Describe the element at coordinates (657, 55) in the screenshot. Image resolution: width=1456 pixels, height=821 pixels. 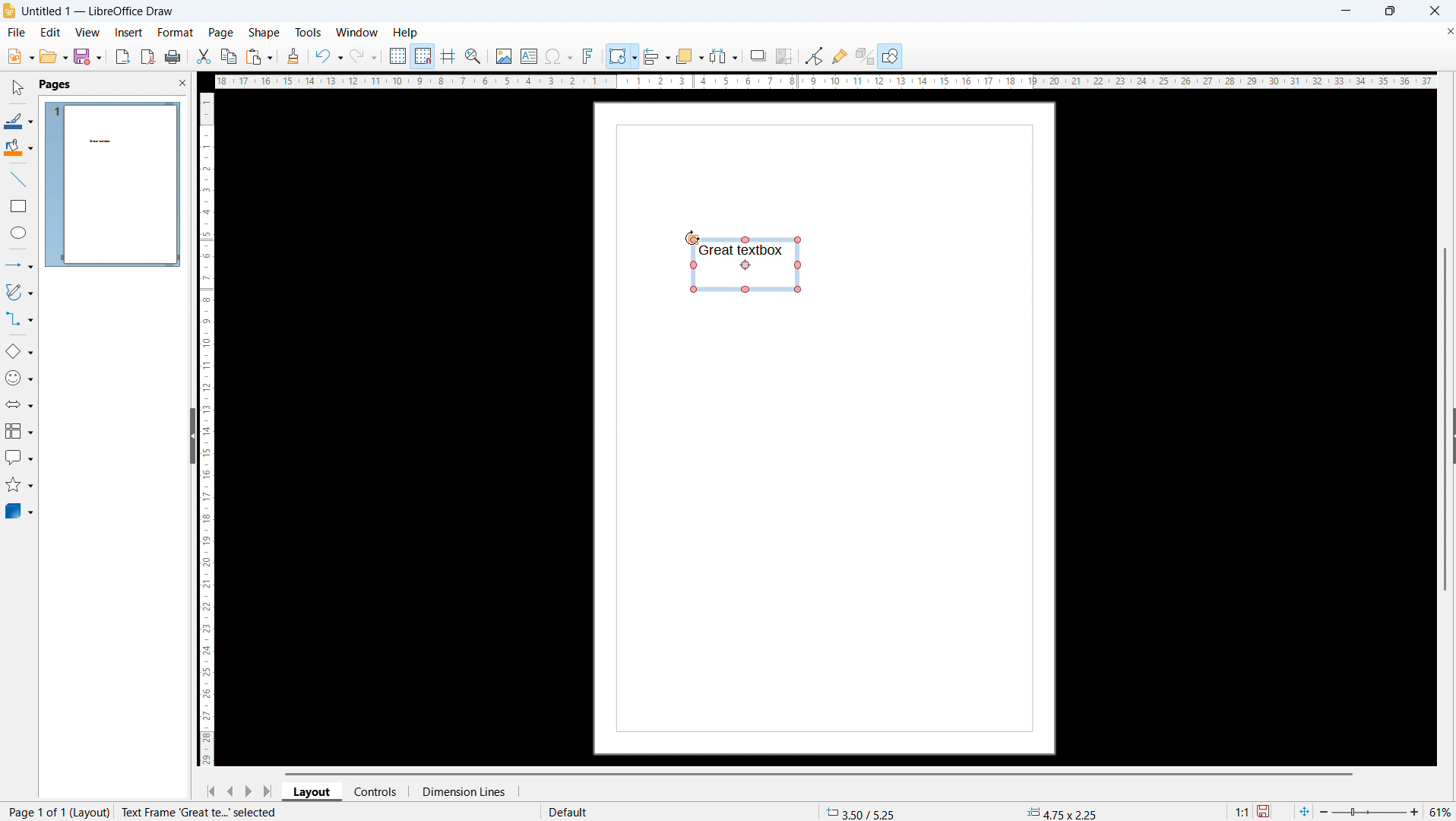
I see `align` at that location.